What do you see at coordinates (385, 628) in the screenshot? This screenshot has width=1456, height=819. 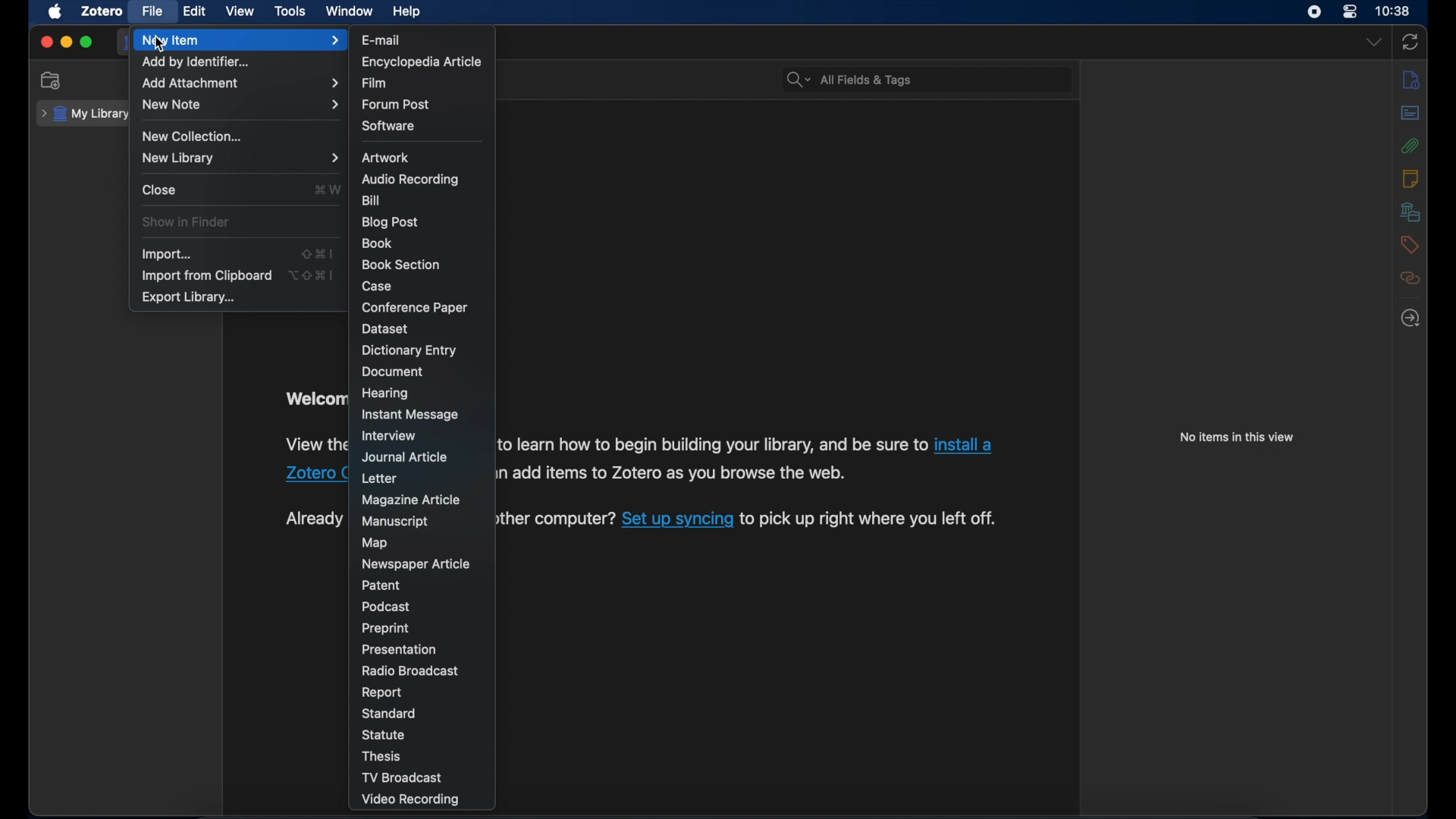 I see `preprint` at bounding box center [385, 628].